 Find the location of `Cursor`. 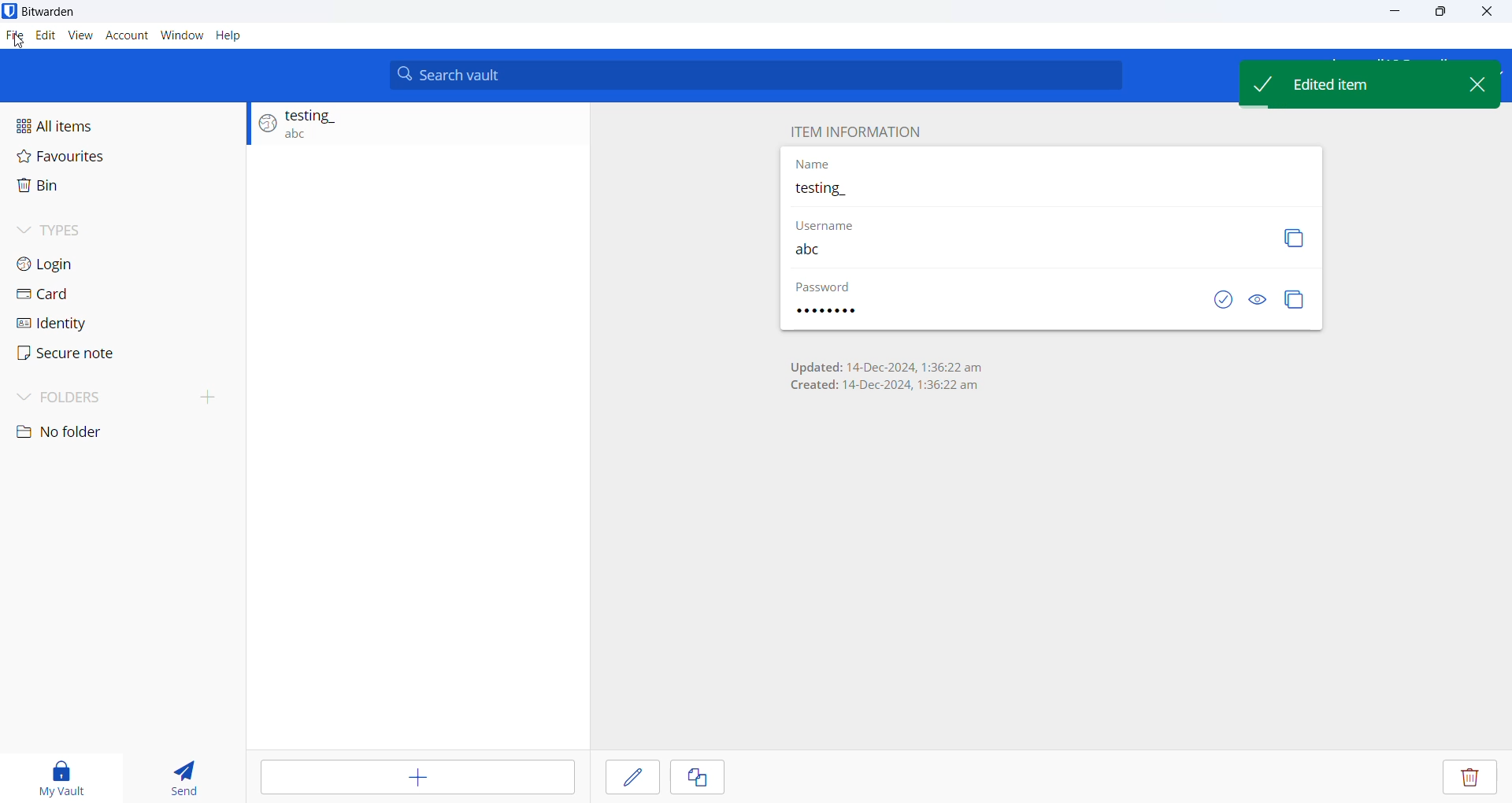

Cursor is located at coordinates (15, 42).